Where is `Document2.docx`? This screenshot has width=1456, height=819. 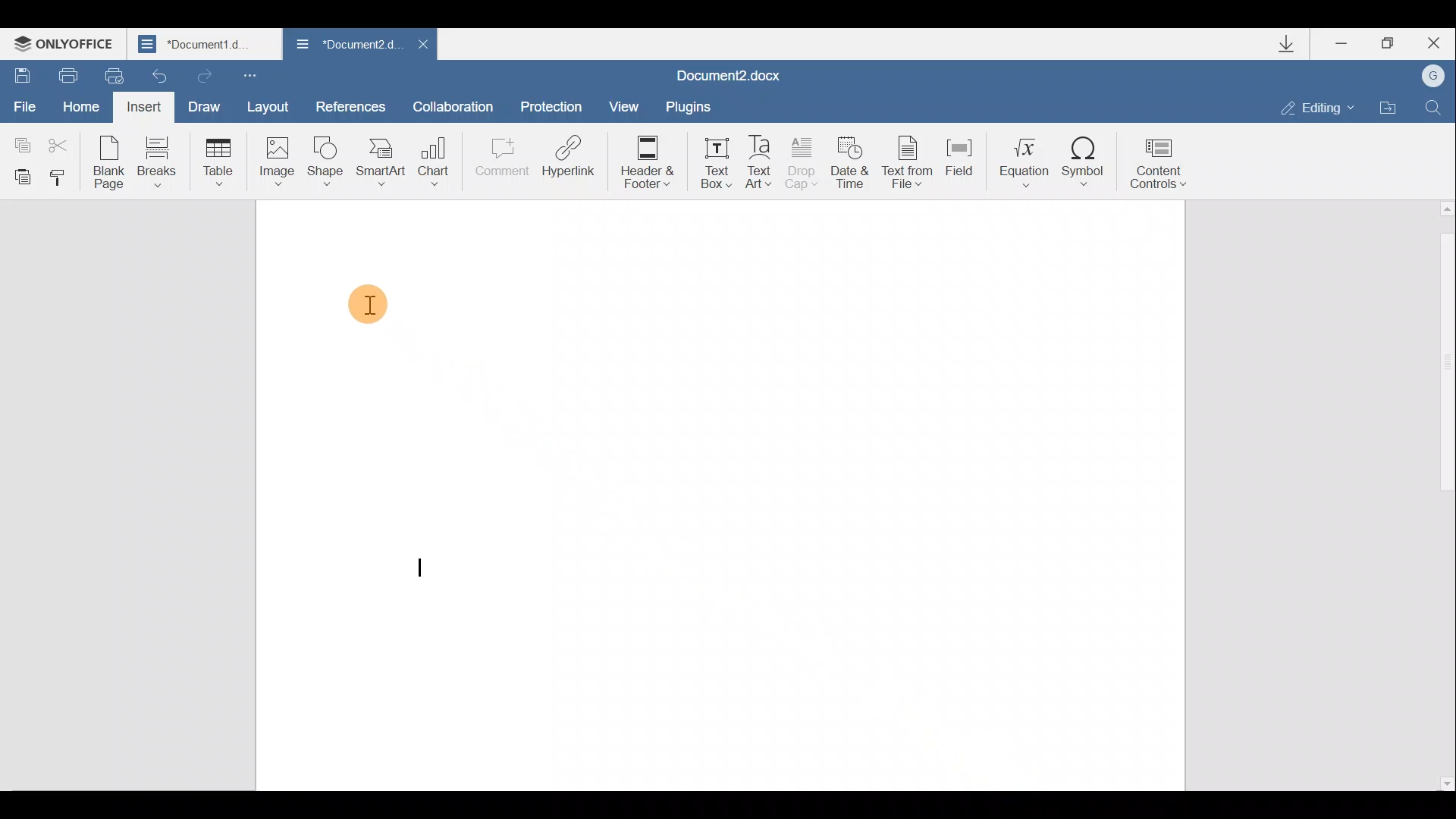
Document2.docx is located at coordinates (729, 75).